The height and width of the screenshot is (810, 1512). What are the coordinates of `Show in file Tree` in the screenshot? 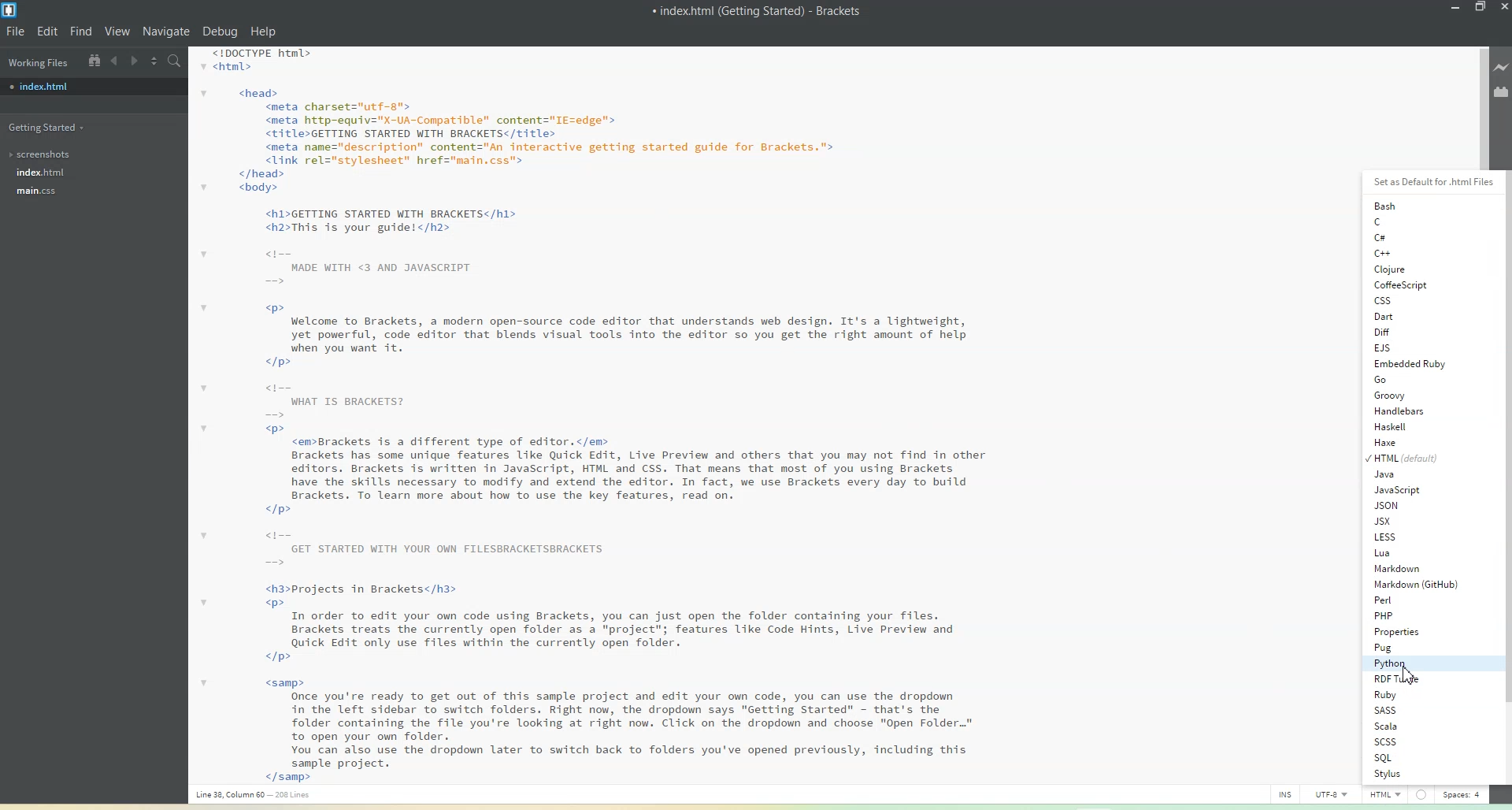 It's located at (93, 60).